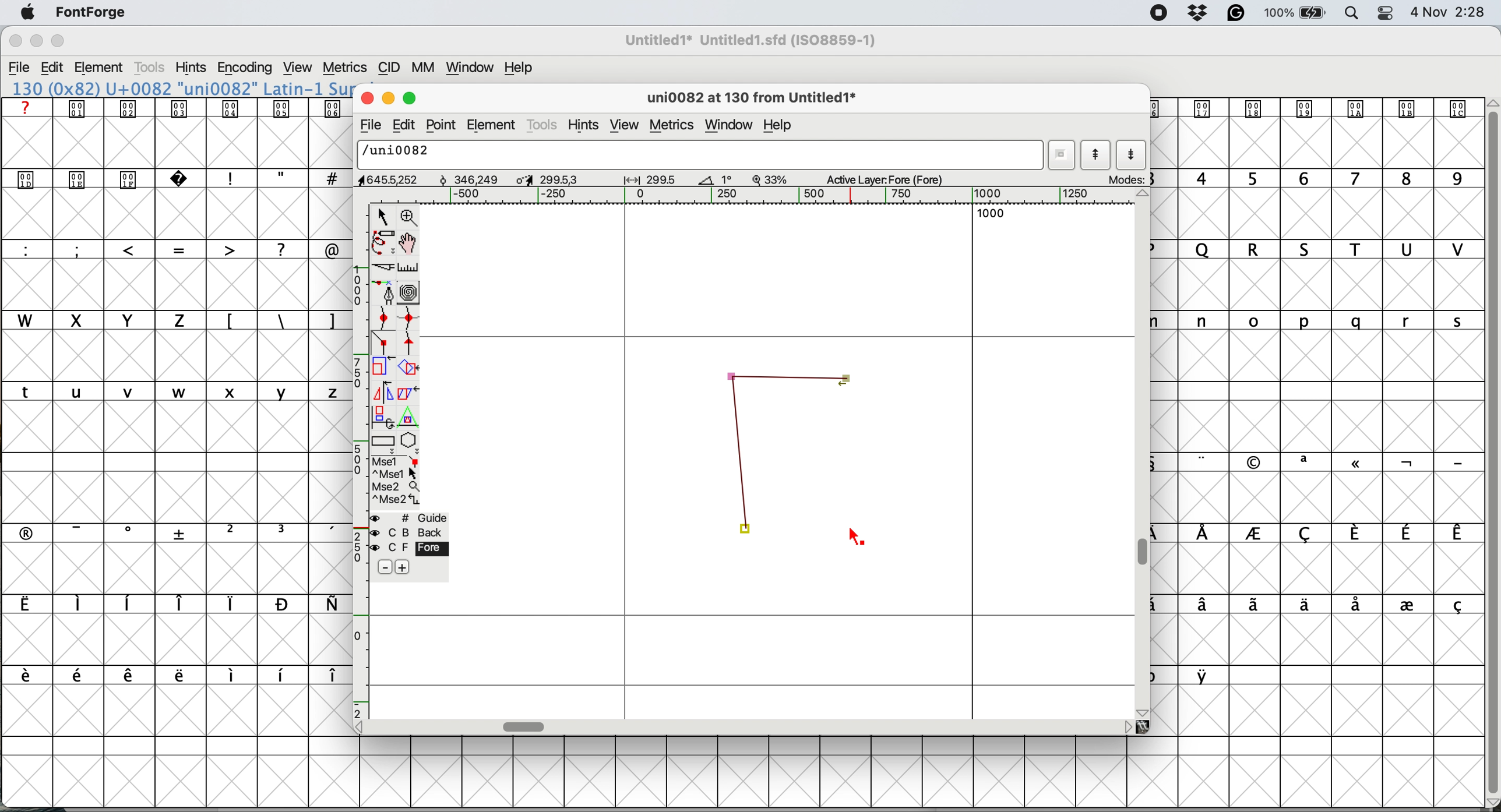 The width and height of the screenshot is (1501, 812). I want to click on Date and Time, so click(1453, 12).